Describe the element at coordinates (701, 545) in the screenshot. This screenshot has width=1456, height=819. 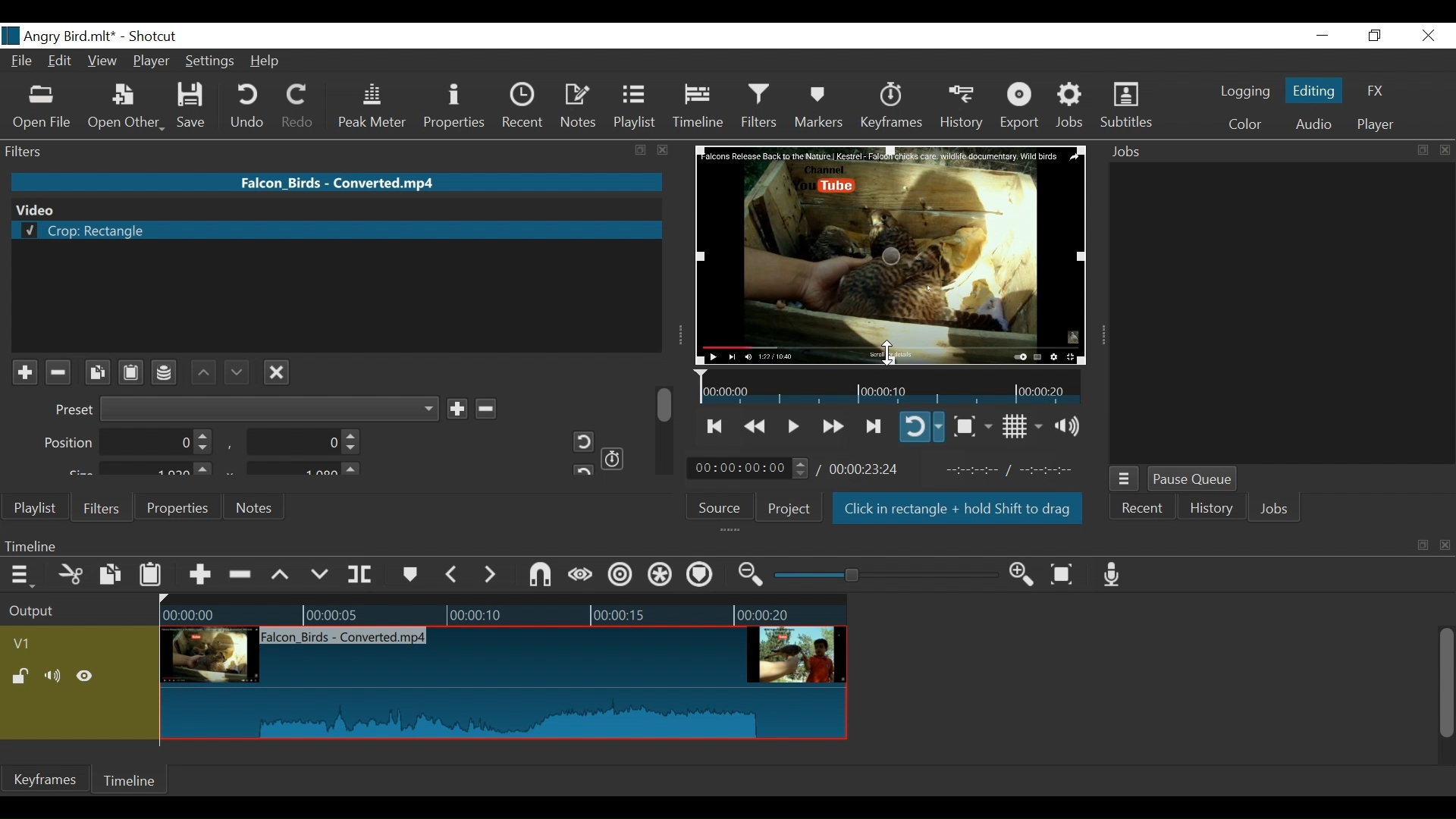
I see `Timeline` at that location.